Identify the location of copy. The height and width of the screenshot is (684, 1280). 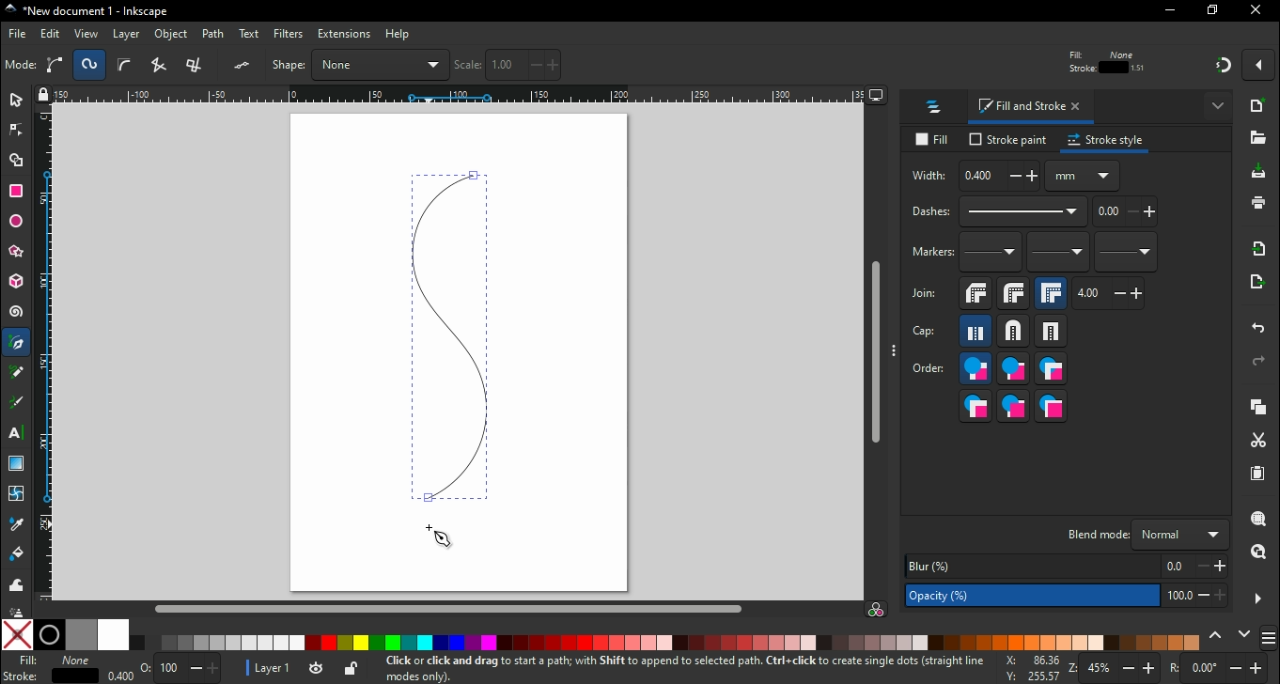
(1263, 409).